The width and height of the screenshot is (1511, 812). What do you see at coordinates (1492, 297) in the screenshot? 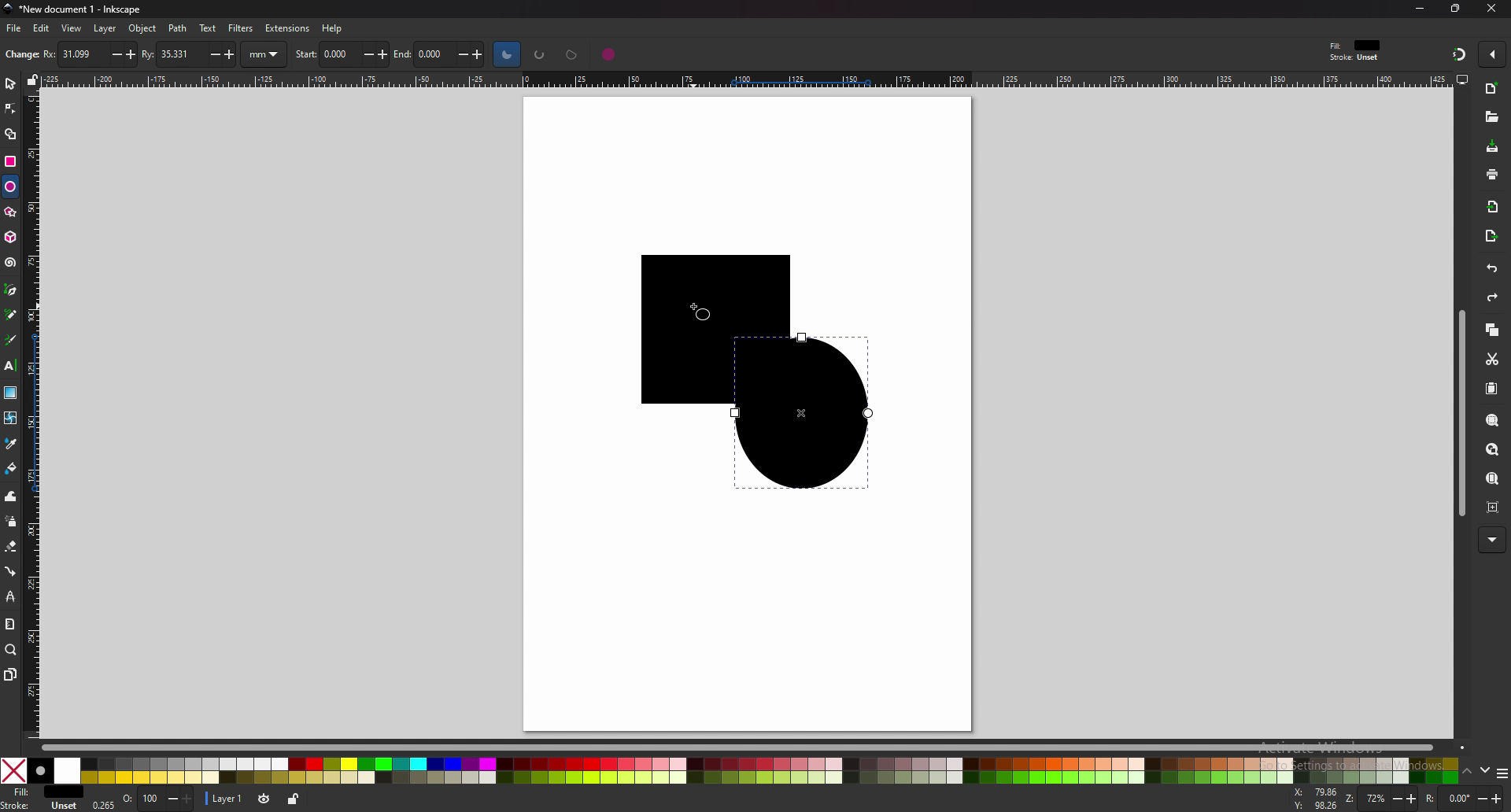
I see `redo` at bounding box center [1492, 297].